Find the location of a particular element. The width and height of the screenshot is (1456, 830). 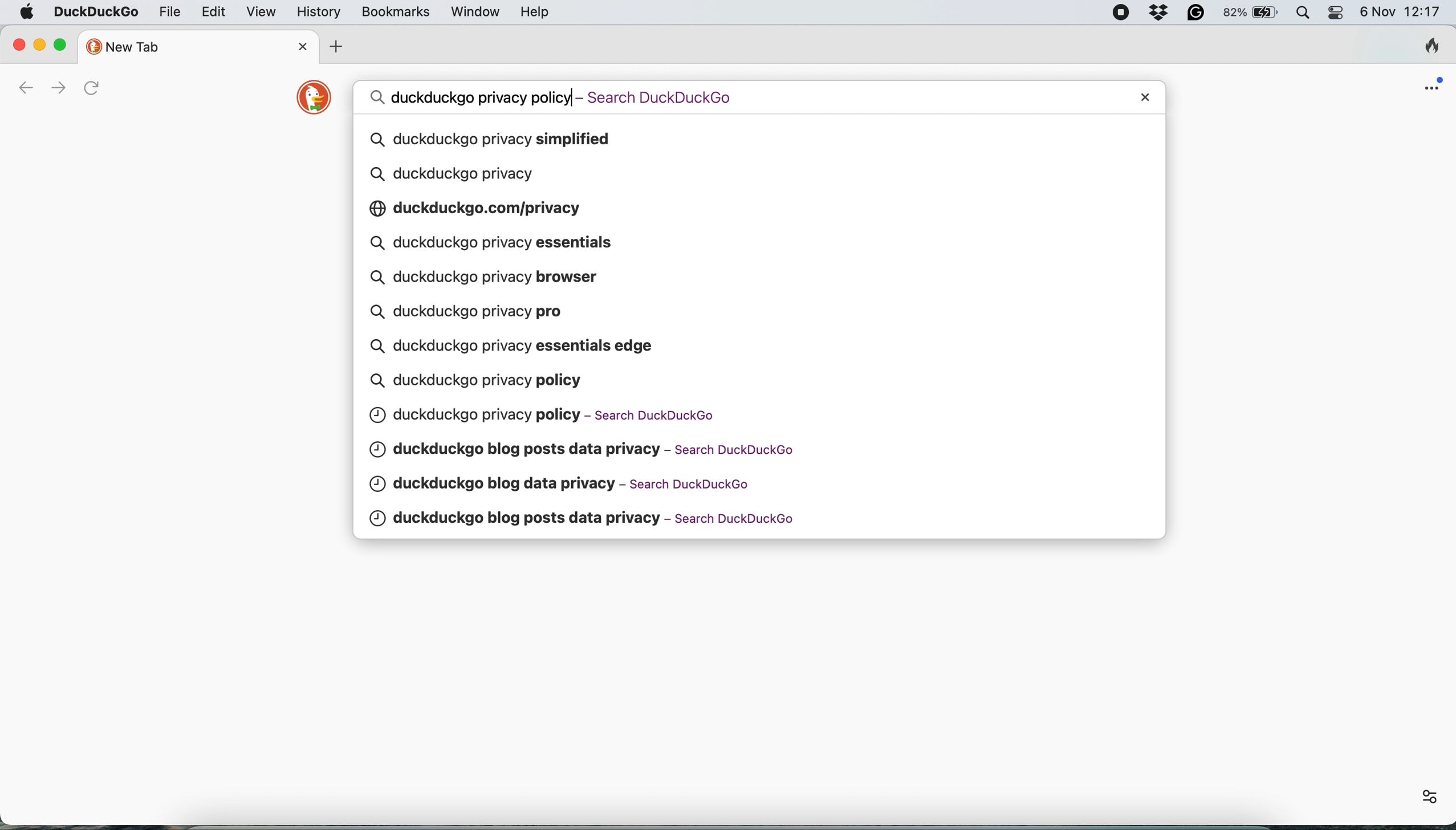

search query is located at coordinates (717, 96).